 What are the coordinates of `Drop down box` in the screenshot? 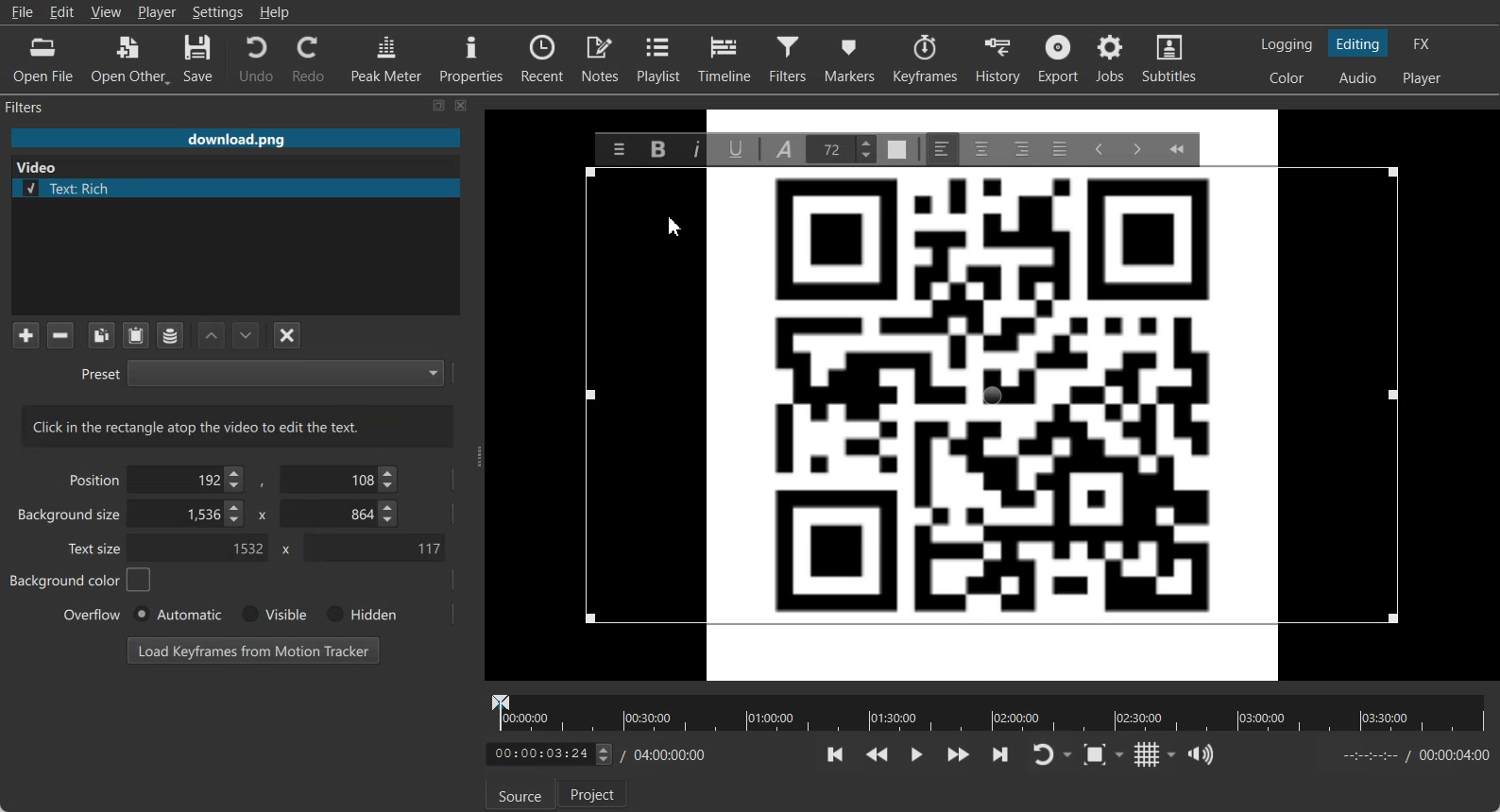 It's located at (1123, 753).